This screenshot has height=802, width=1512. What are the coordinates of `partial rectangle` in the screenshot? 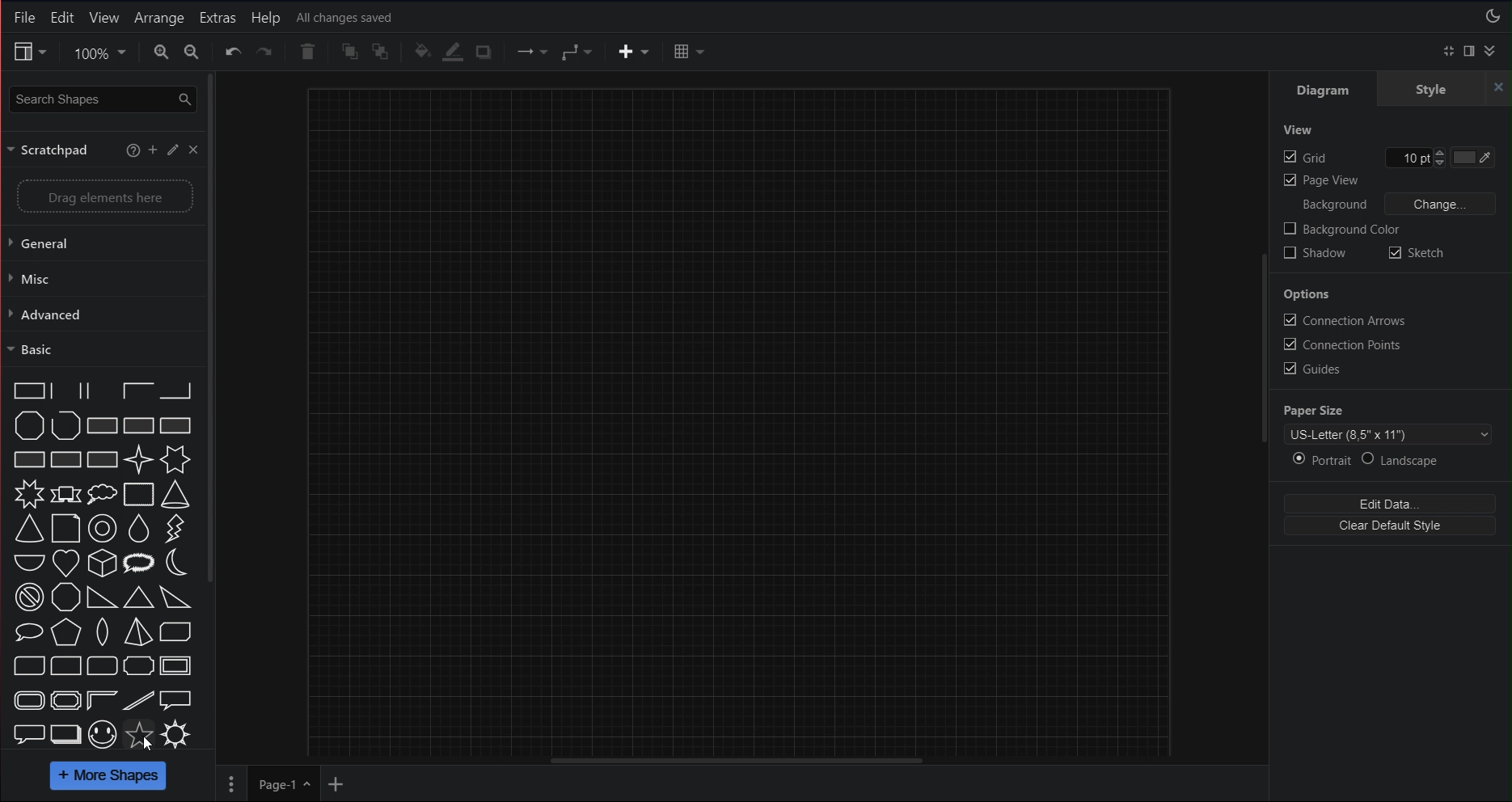 It's located at (100, 390).